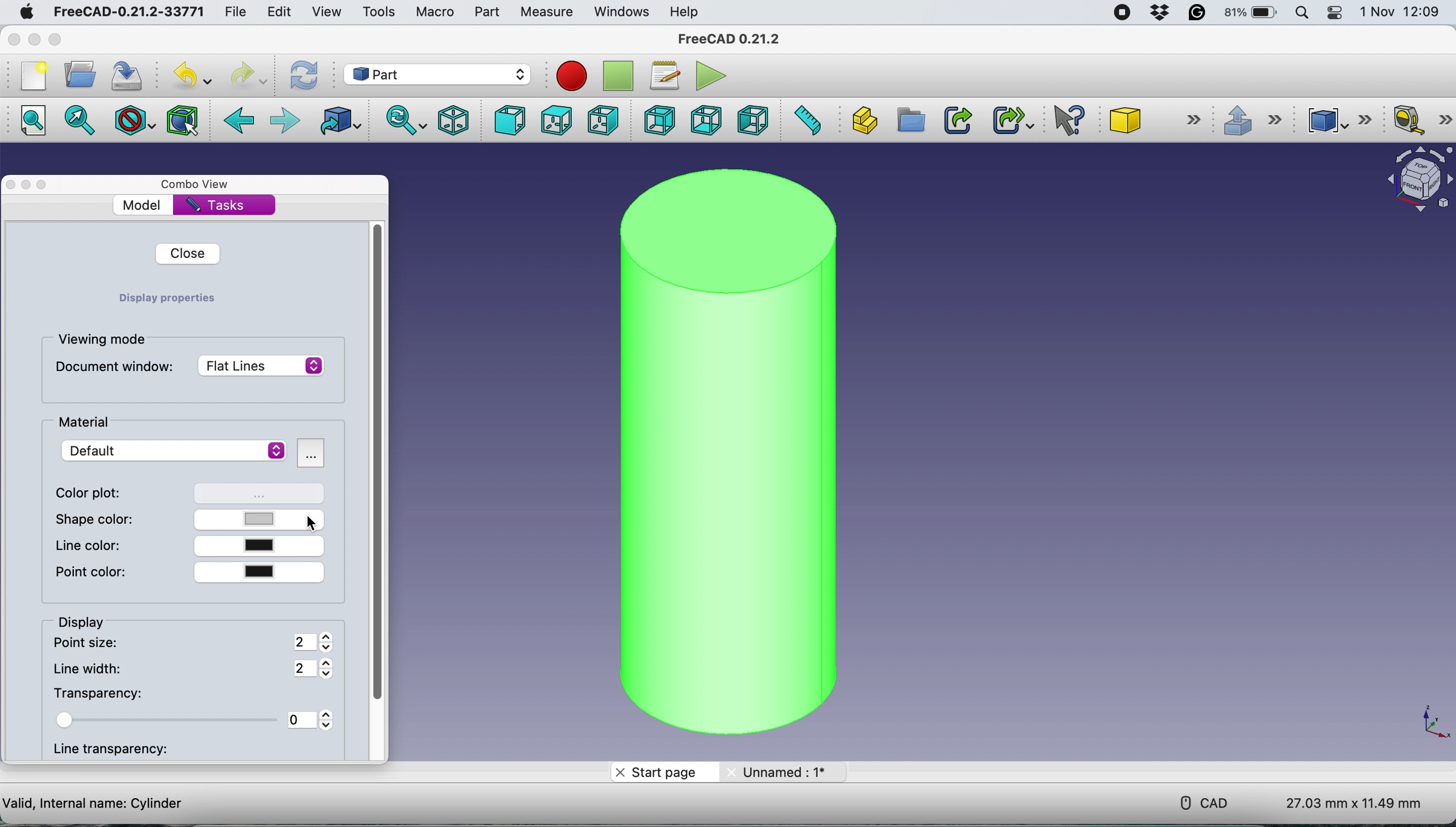 The width and height of the screenshot is (1456, 827). I want to click on more options, so click(311, 453).